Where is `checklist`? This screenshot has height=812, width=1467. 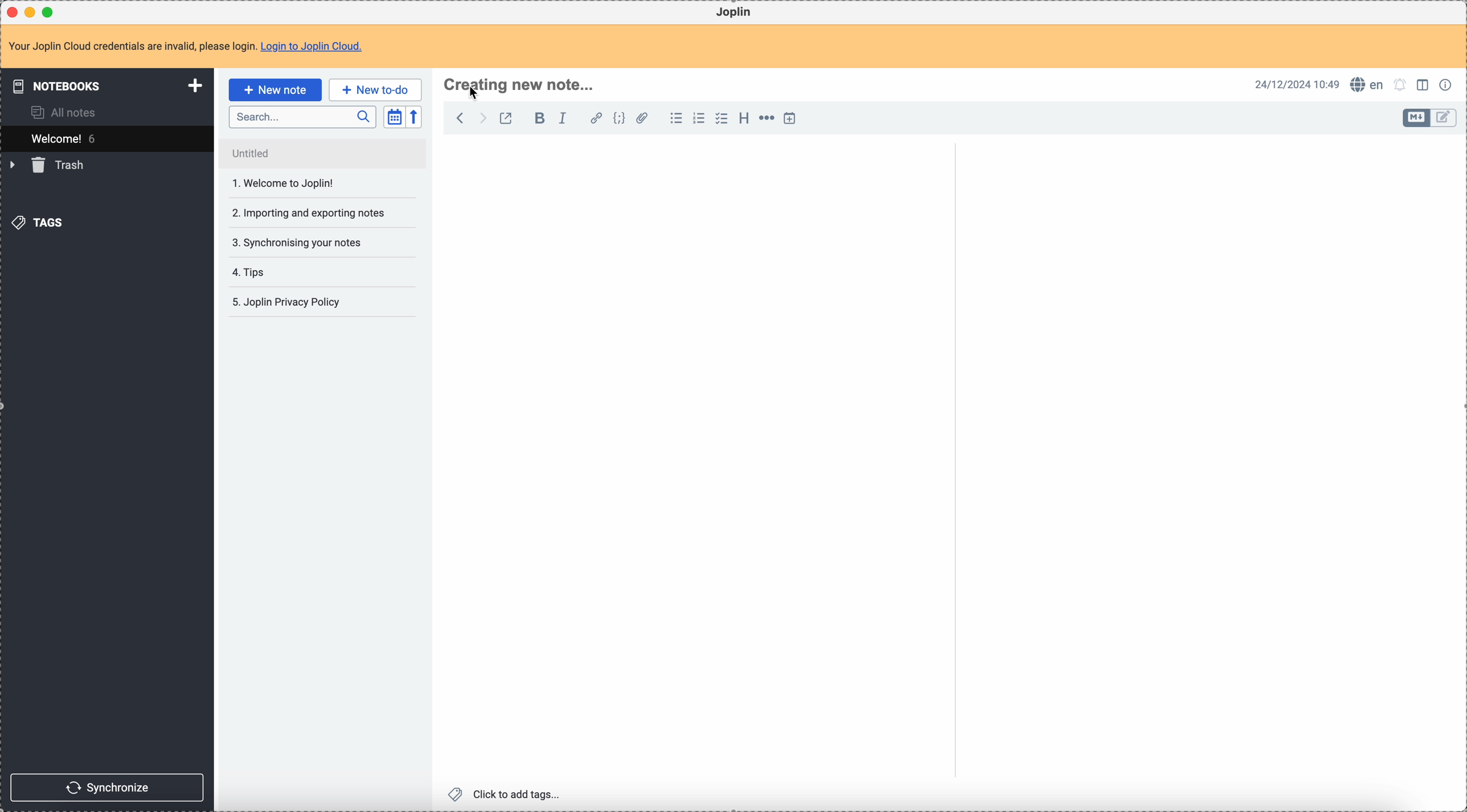
checklist is located at coordinates (722, 119).